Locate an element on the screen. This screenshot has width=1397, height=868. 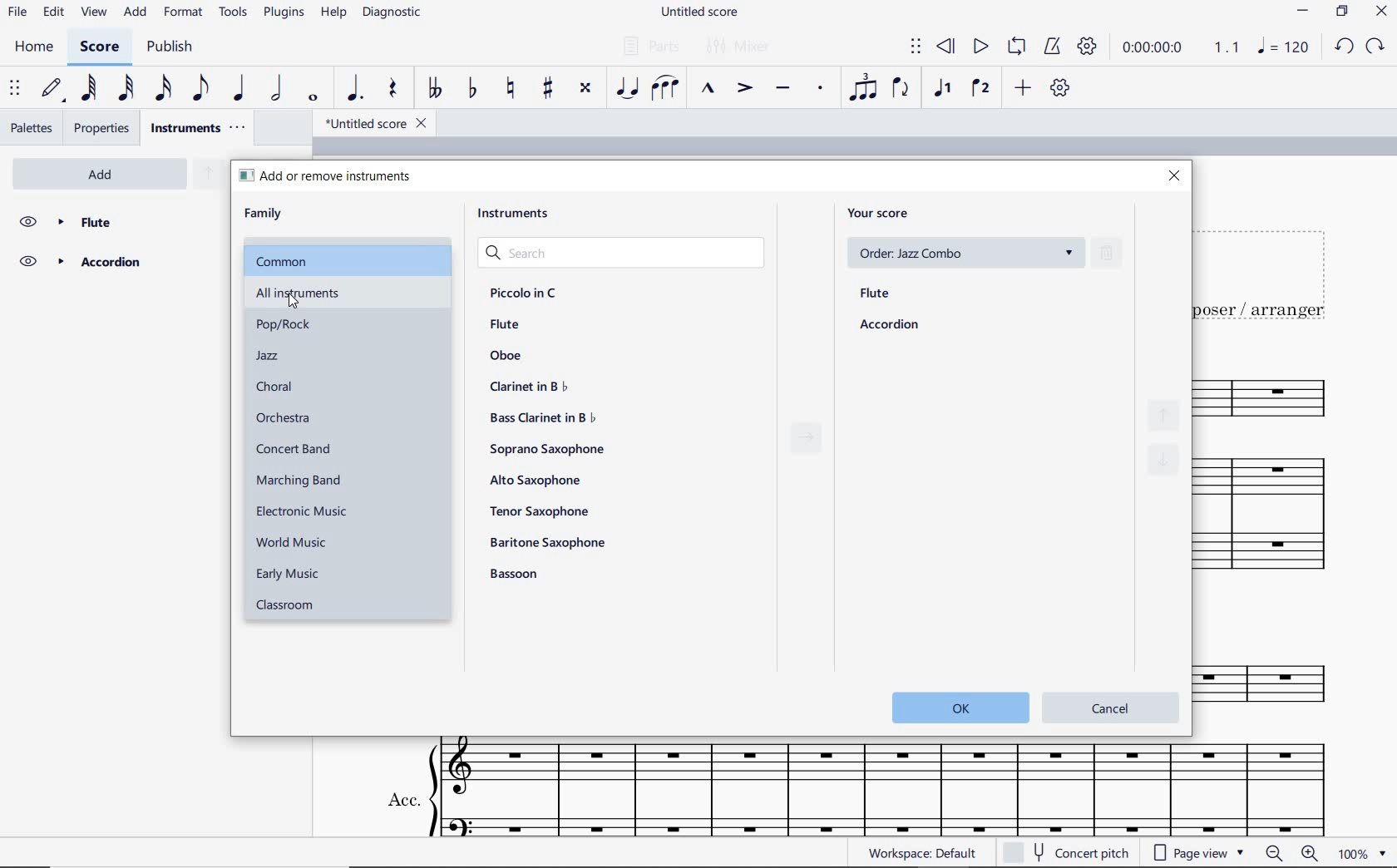
rewind is located at coordinates (949, 47).